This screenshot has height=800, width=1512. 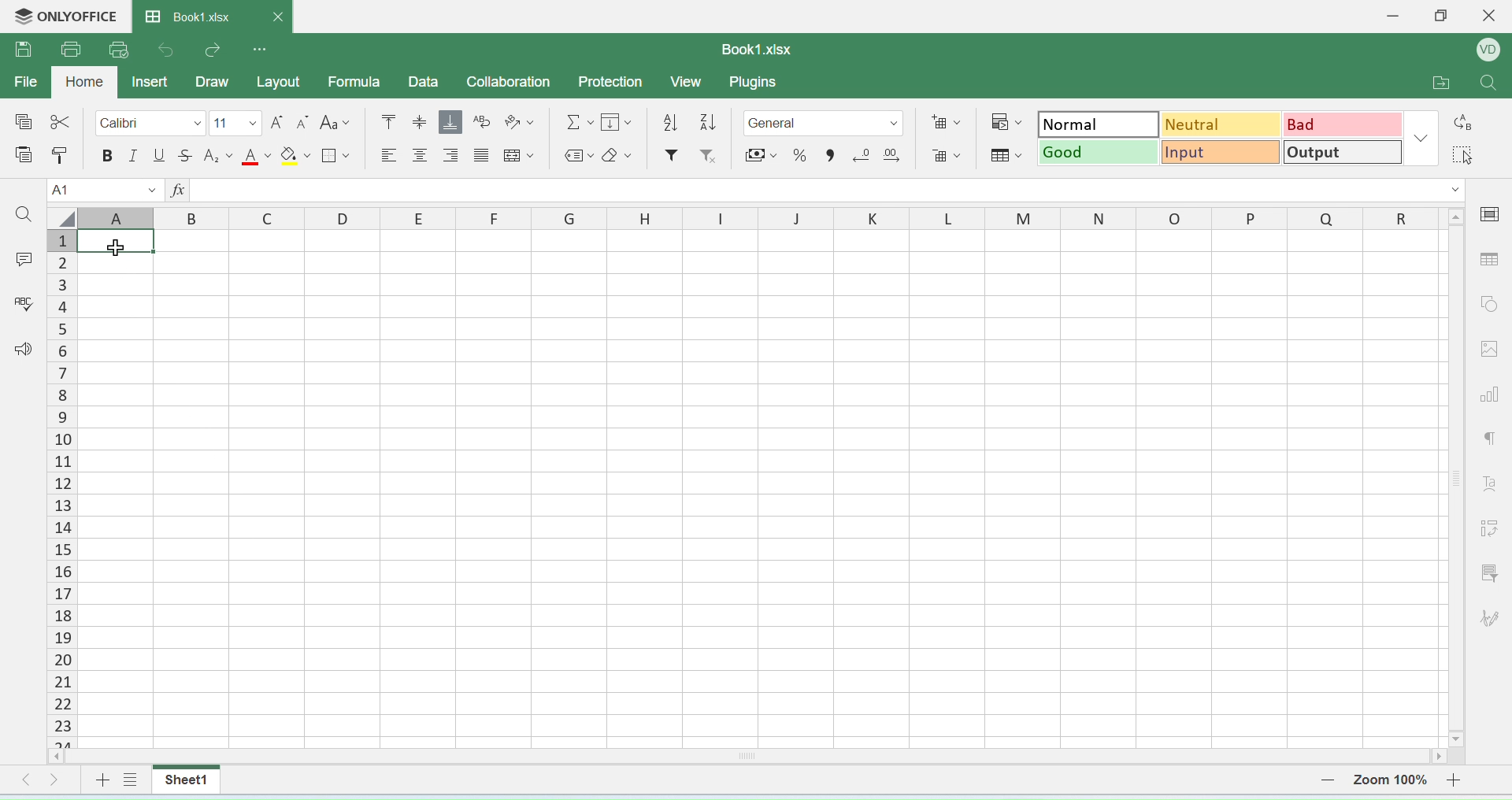 I want to click on descending order, so click(x=667, y=123).